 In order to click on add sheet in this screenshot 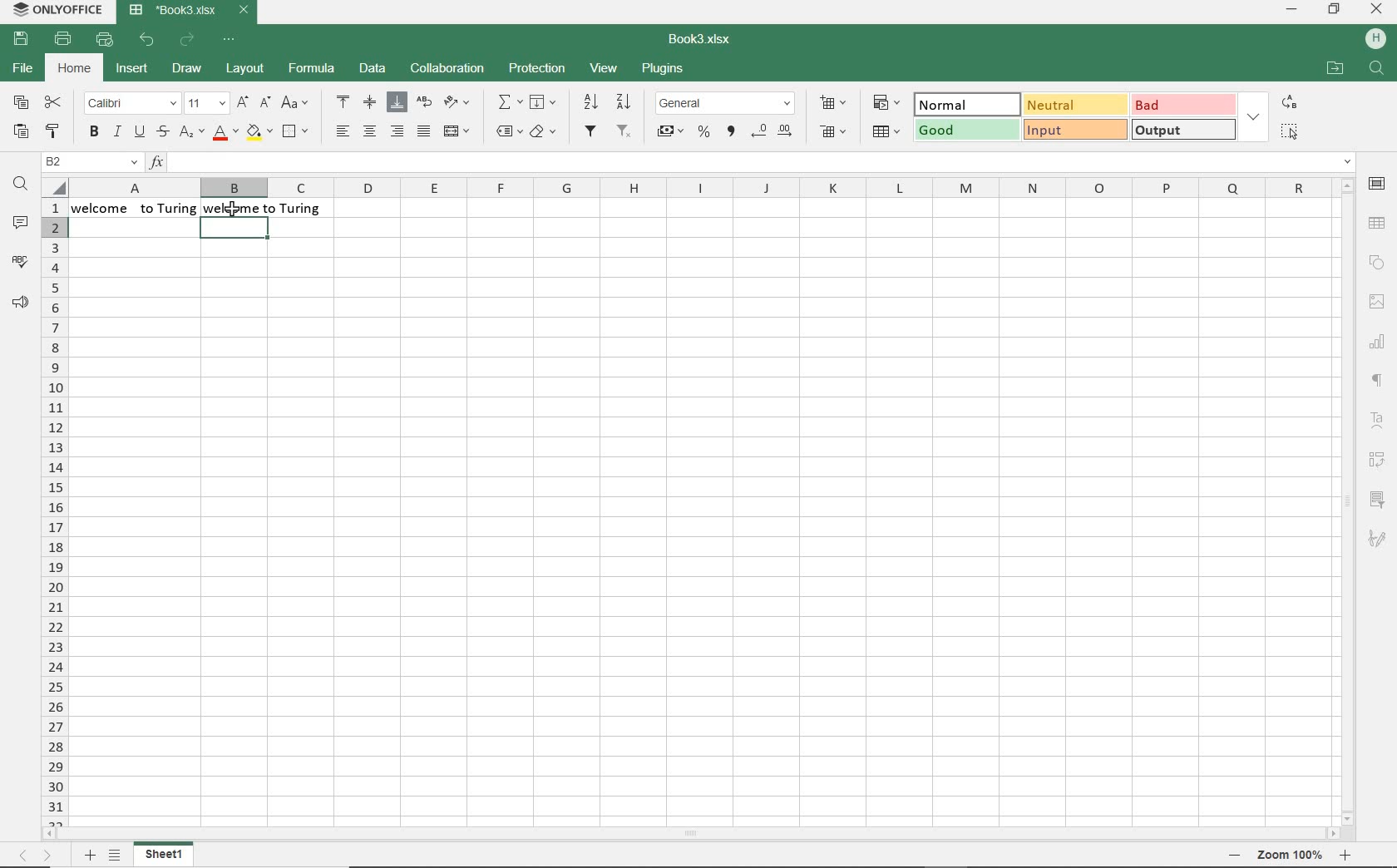, I will do `click(91, 856)`.